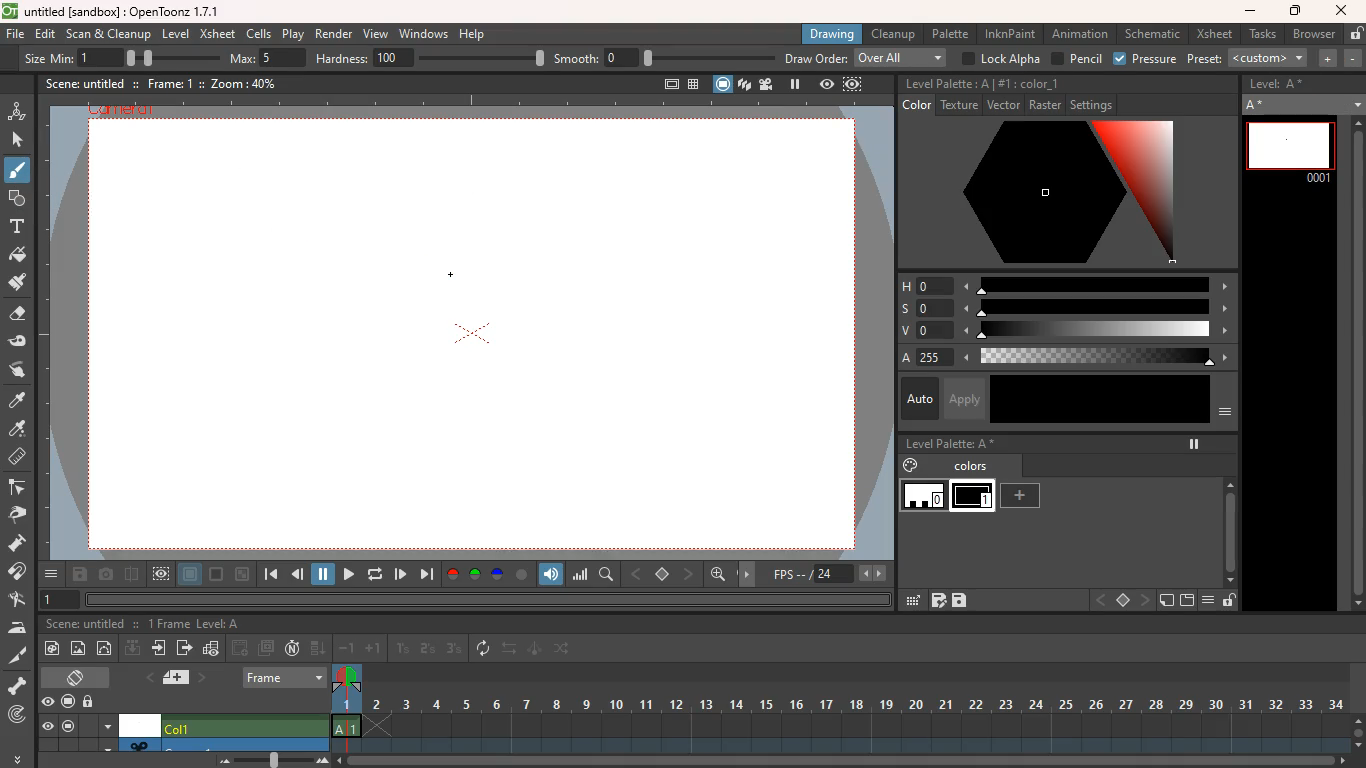 The width and height of the screenshot is (1366, 768). Describe the element at coordinates (952, 33) in the screenshot. I see `palette` at that location.